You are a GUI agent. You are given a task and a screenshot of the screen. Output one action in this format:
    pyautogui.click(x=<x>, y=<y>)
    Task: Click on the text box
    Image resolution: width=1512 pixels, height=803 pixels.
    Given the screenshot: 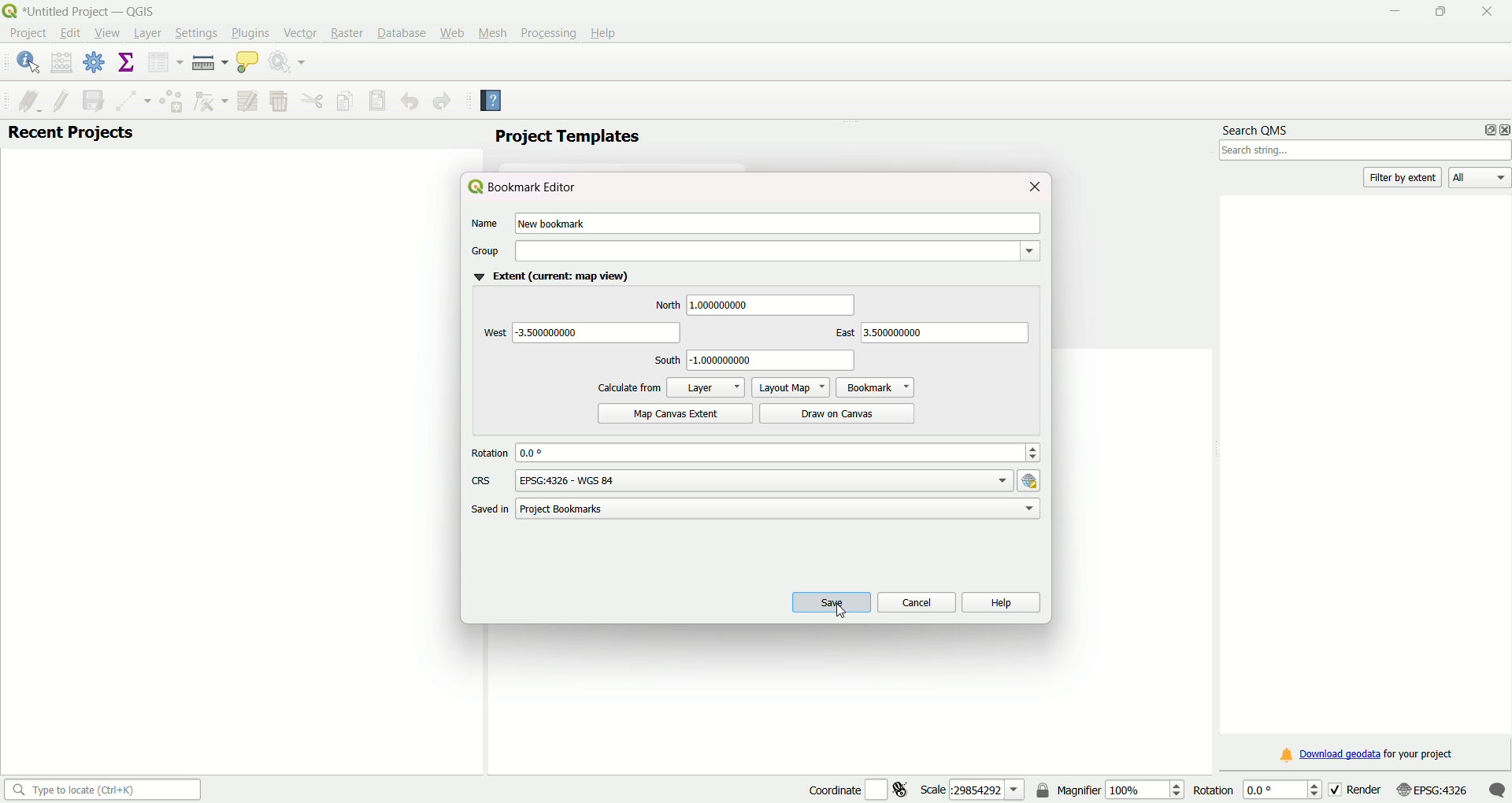 What is the action you would take?
    pyautogui.click(x=773, y=305)
    